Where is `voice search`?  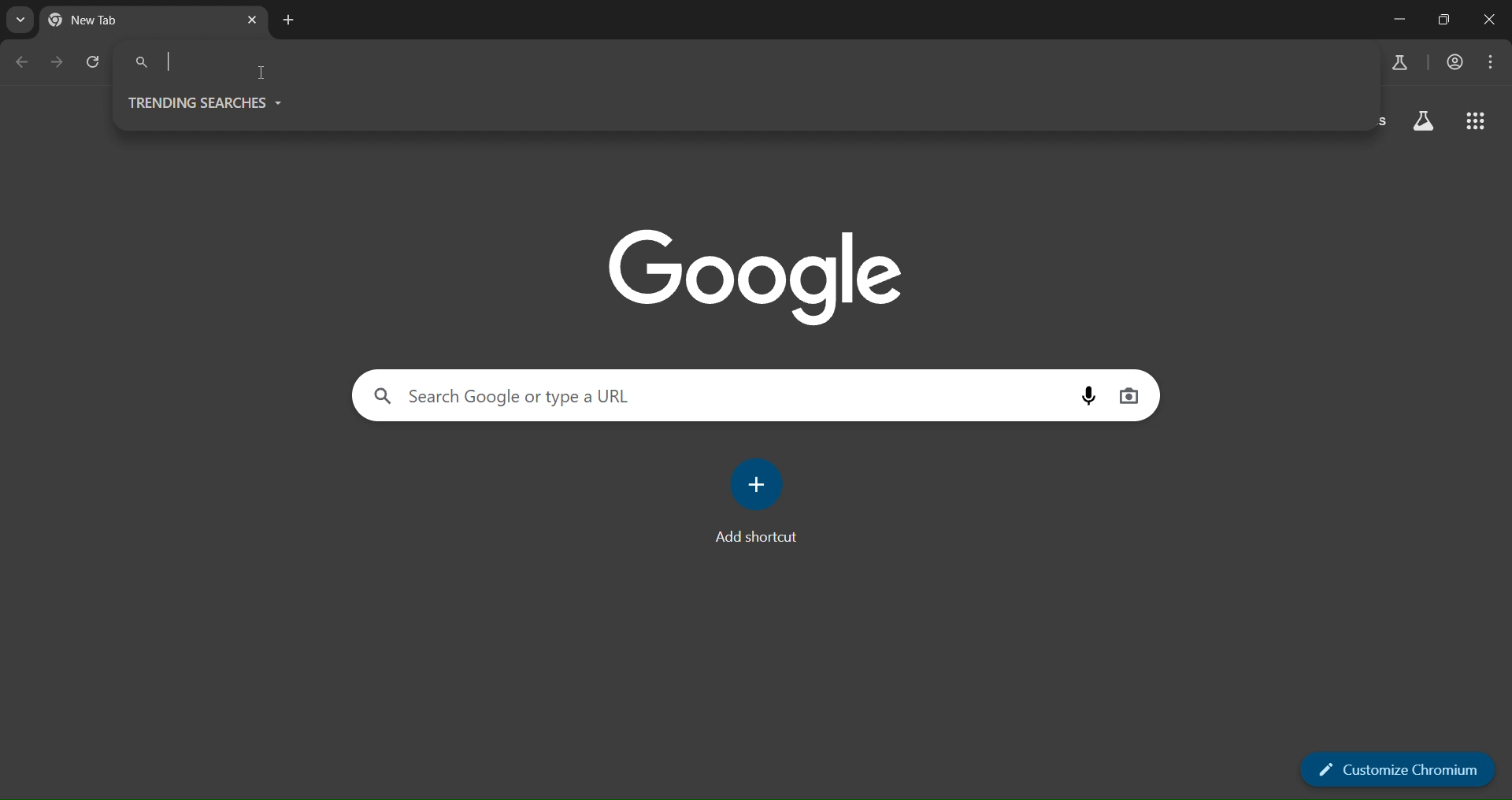 voice search is located at coordinates (1085, 395).